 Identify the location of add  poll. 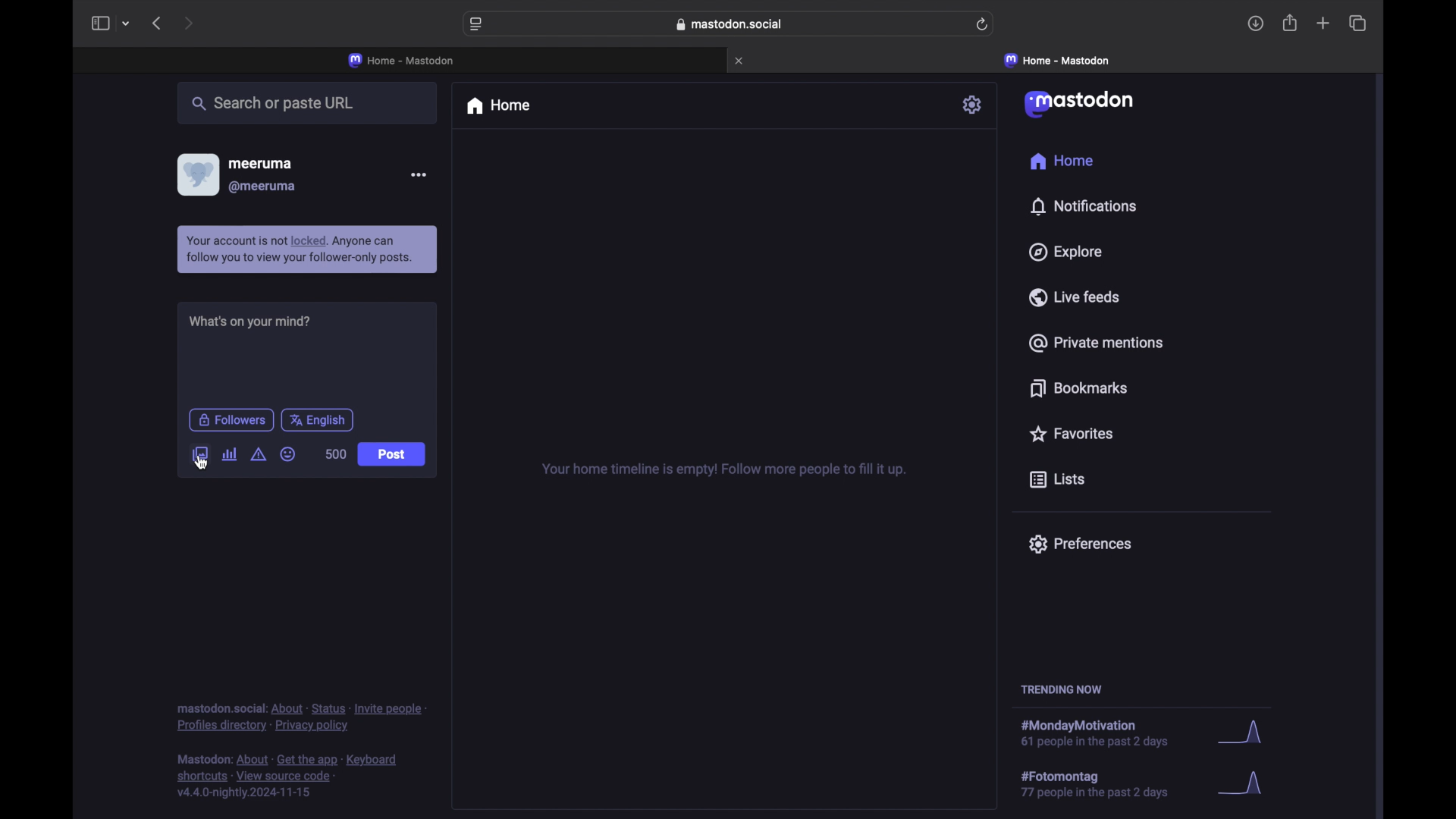
(229, 455).